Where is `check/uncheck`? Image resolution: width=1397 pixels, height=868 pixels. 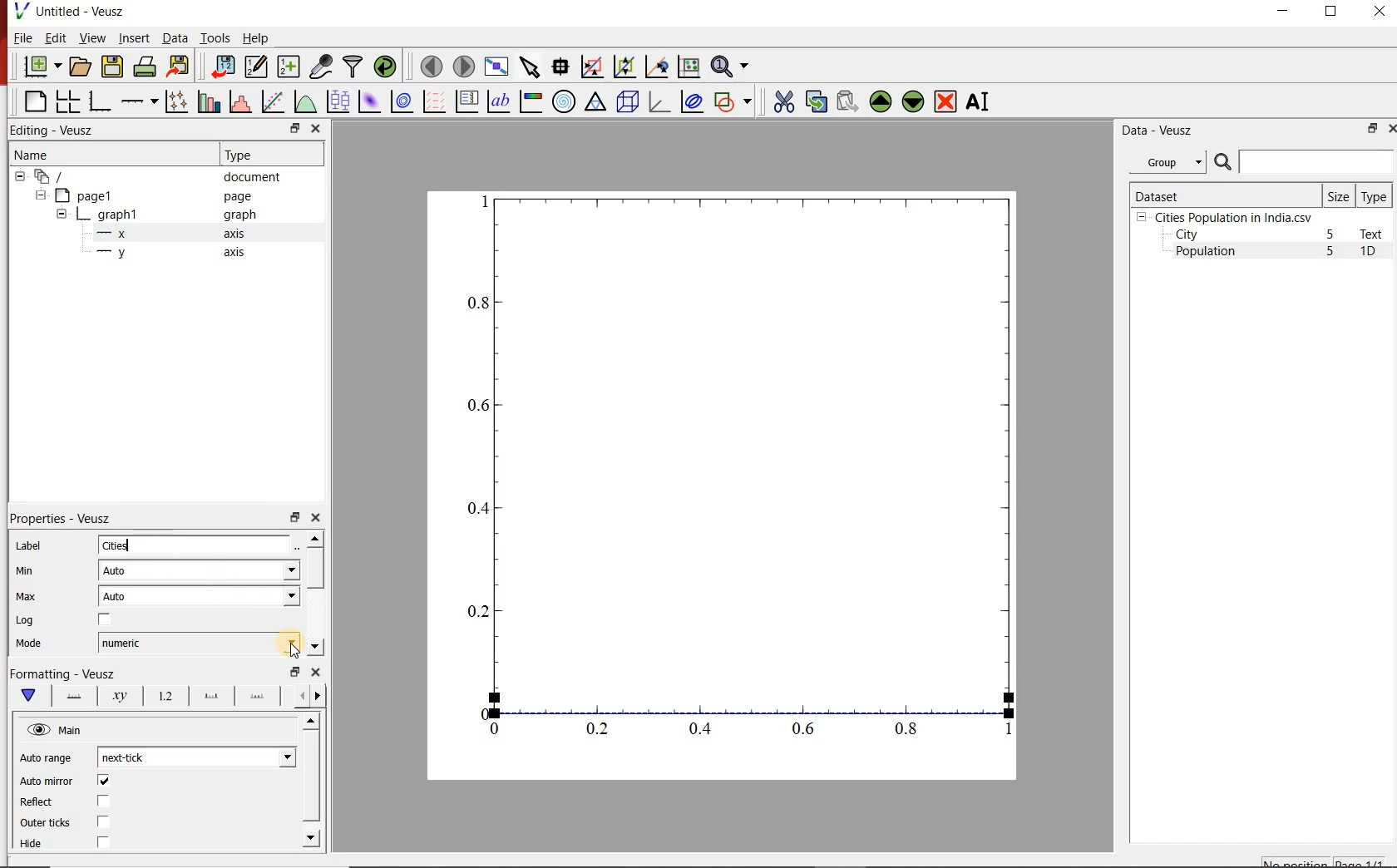 check/uncheck is located at coordinates (102, 845).